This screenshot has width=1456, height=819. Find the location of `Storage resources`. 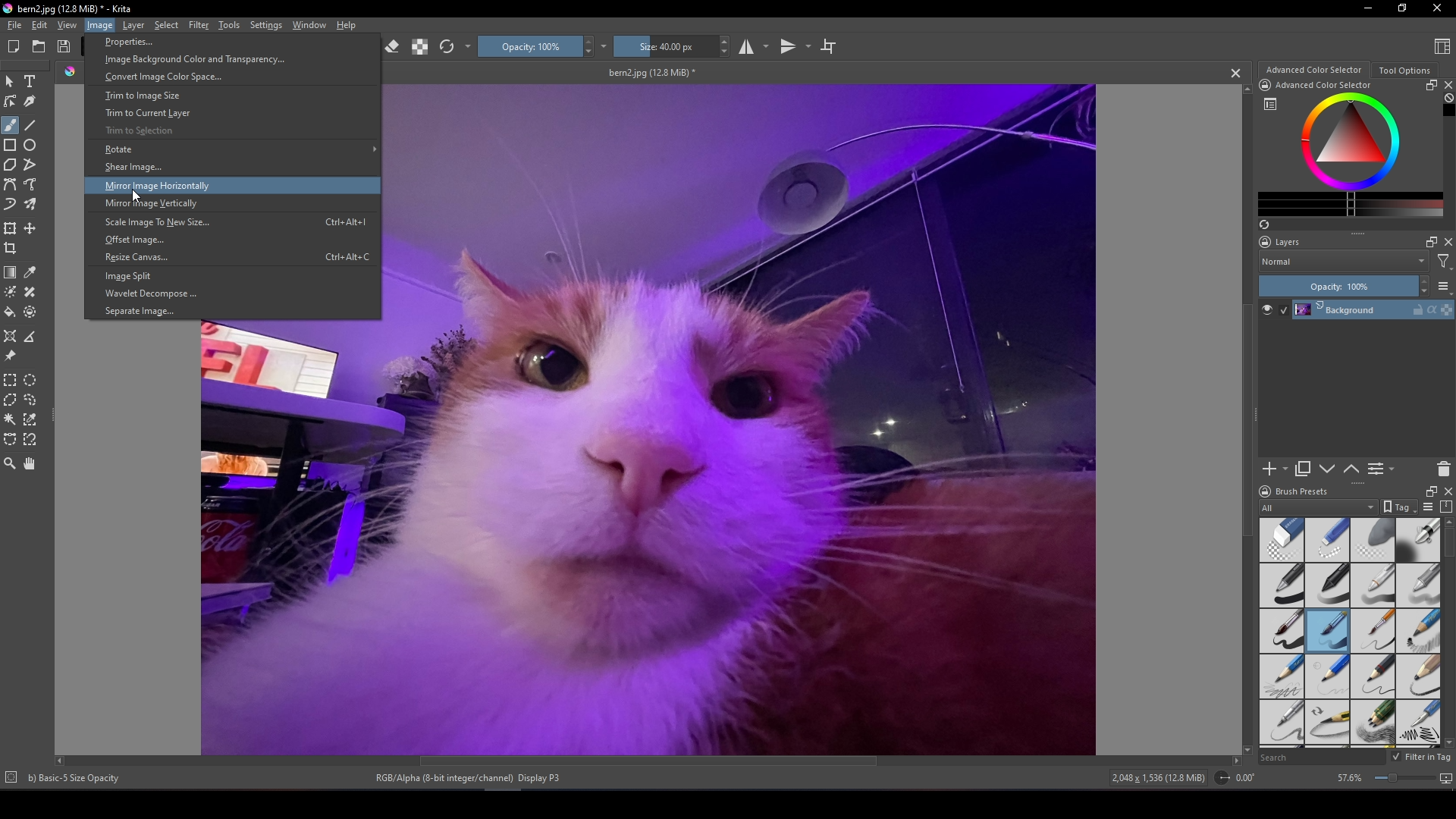

Storage resources is located at coordinates (1447, 507).